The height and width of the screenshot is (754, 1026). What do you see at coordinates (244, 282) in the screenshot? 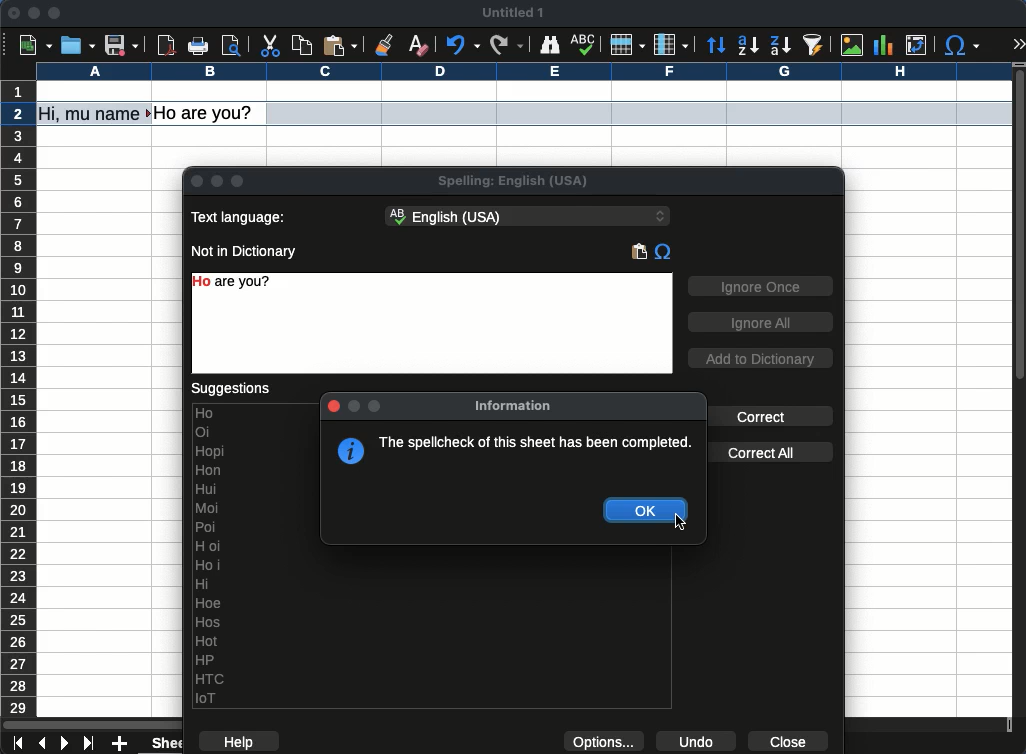
I see `Ho are you? - error text` at bounding box center [244, 282].